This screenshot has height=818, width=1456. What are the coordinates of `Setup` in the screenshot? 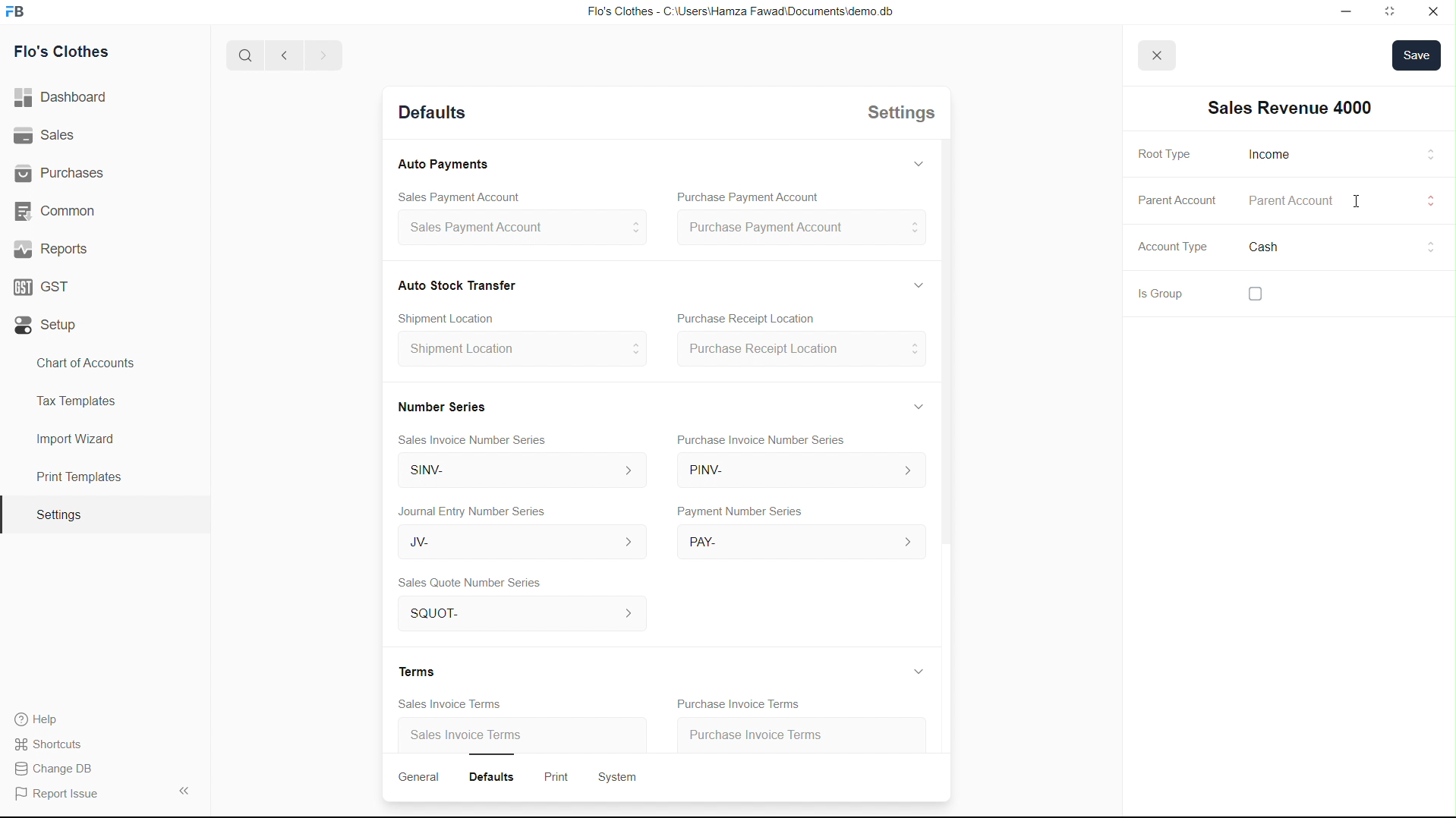 It's located at (49, 326).